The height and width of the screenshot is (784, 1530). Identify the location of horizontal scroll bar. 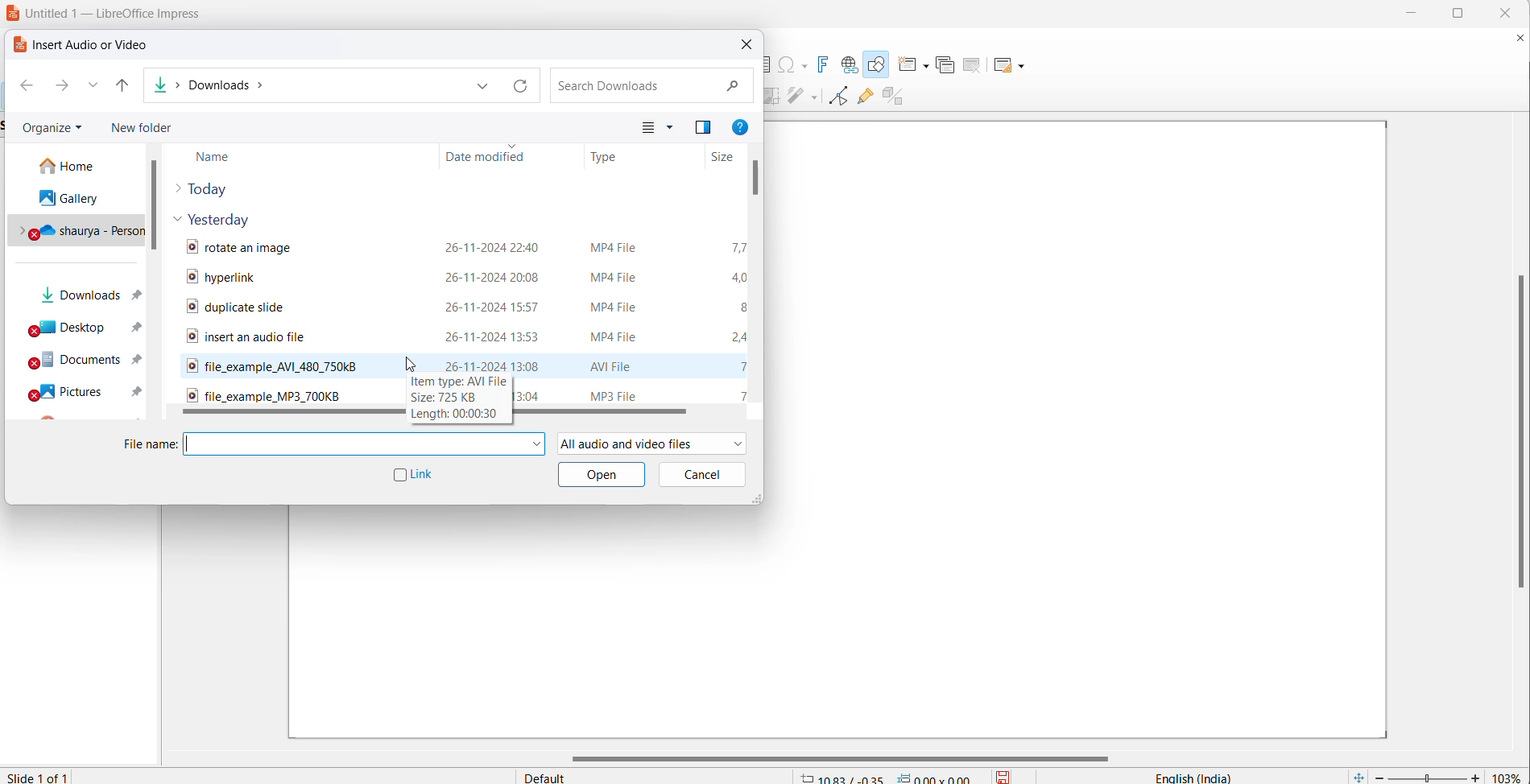
(838, 756).